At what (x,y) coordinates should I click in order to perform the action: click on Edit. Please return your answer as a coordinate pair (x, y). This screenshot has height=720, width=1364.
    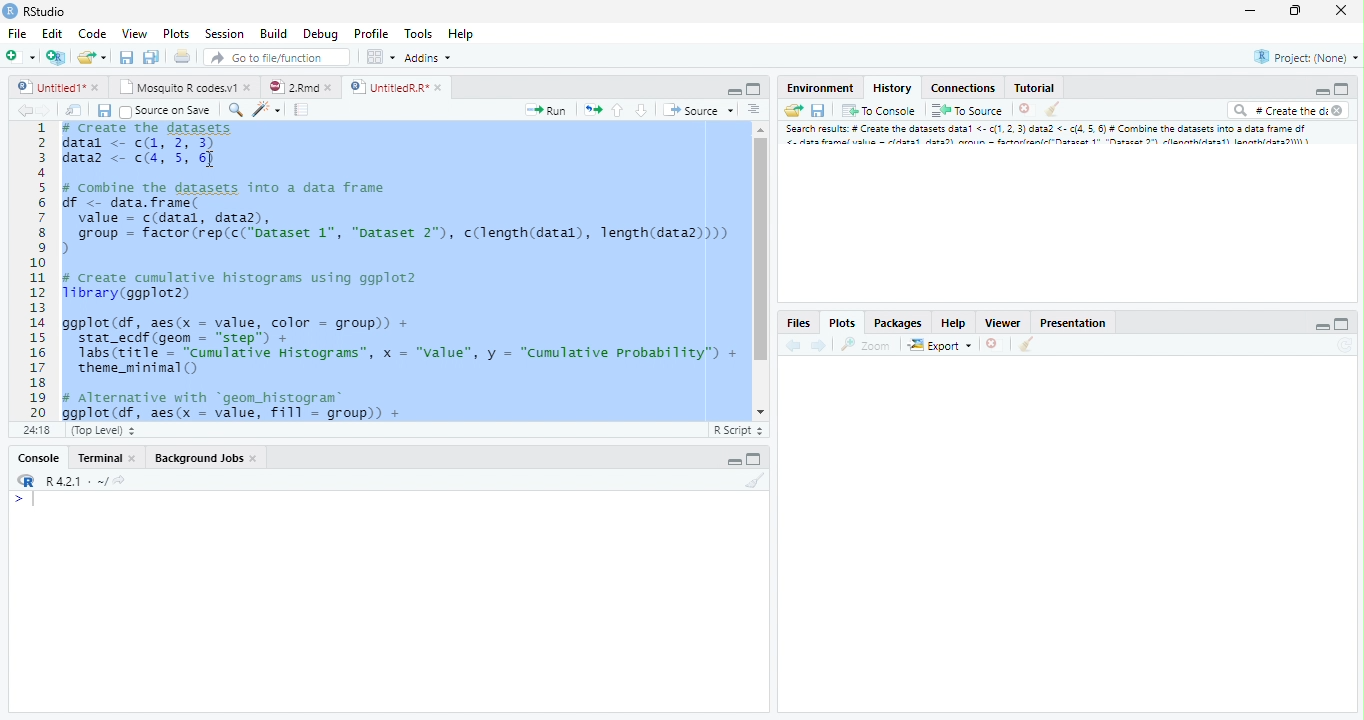
    Looking at the image, I should click on (53, 35).